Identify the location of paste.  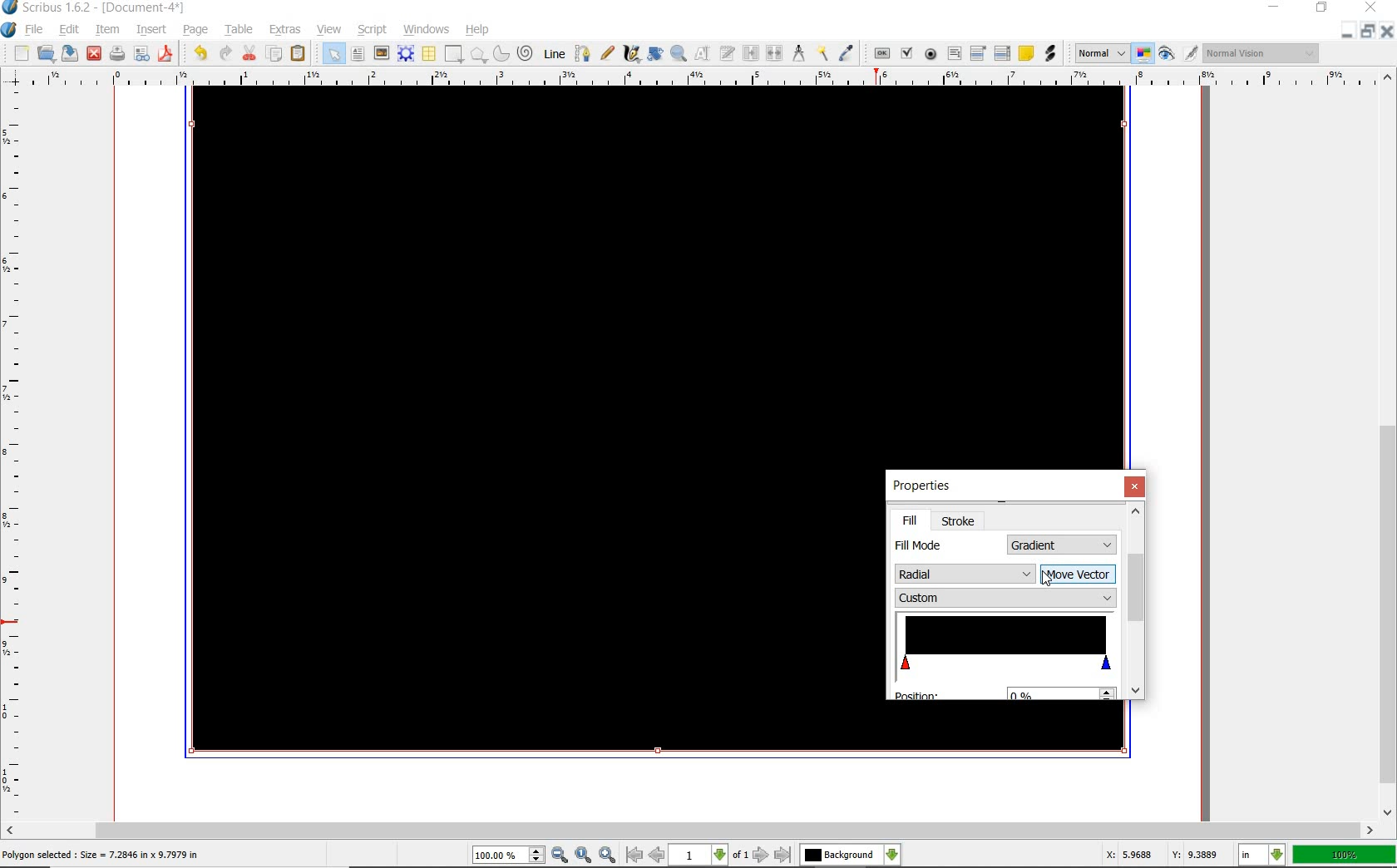
(298, 54).